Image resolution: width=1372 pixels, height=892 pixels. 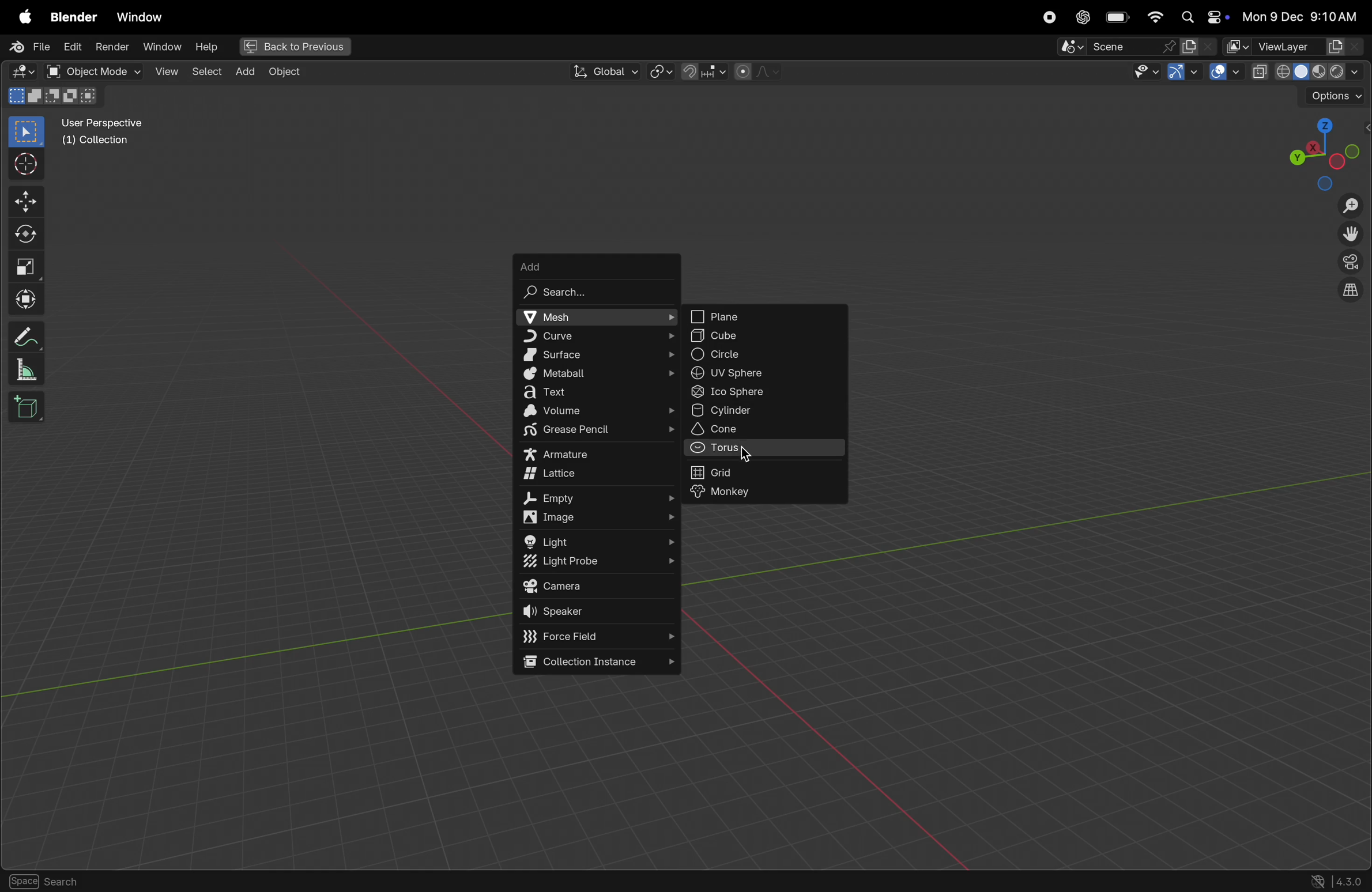 I want to click on object mode, so click(x=93, y=71).